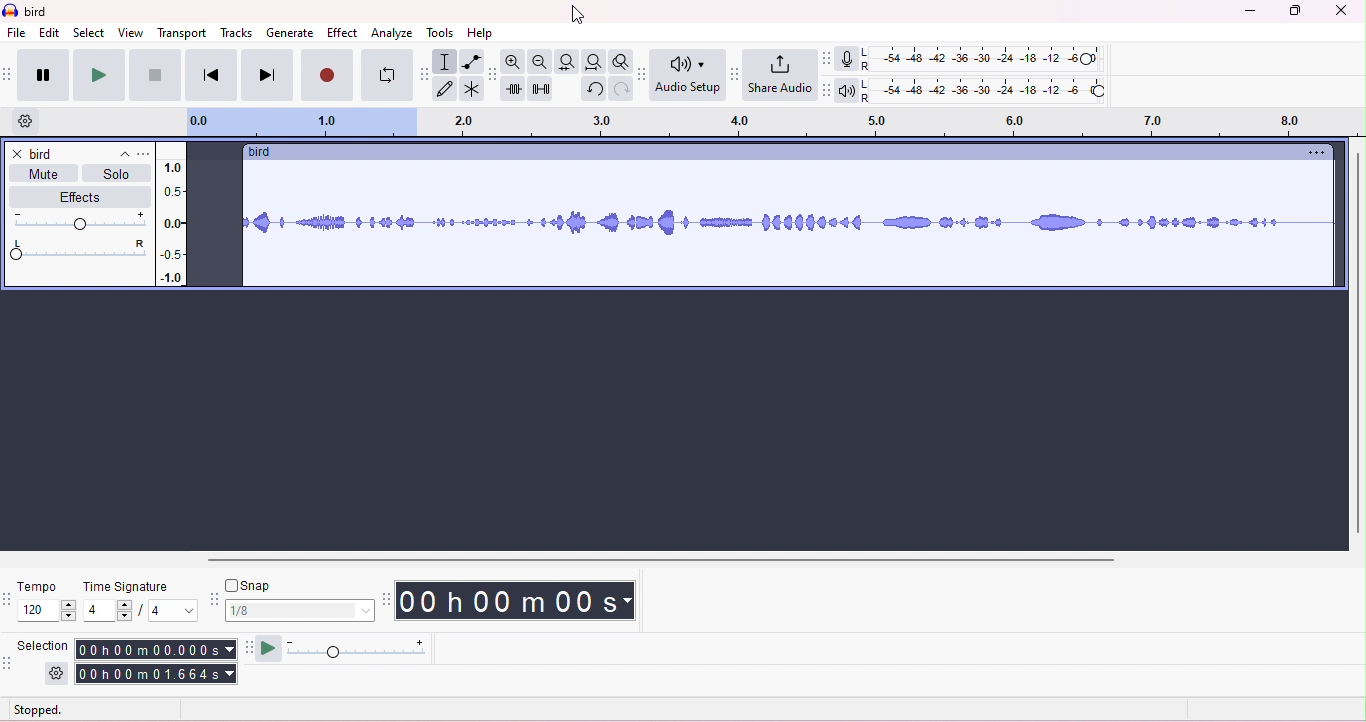 The image size is (1366, 722). What do you see at coordinates (1312, 153) in the screenshot?
I see `options` at bounding box center [1312, 153].